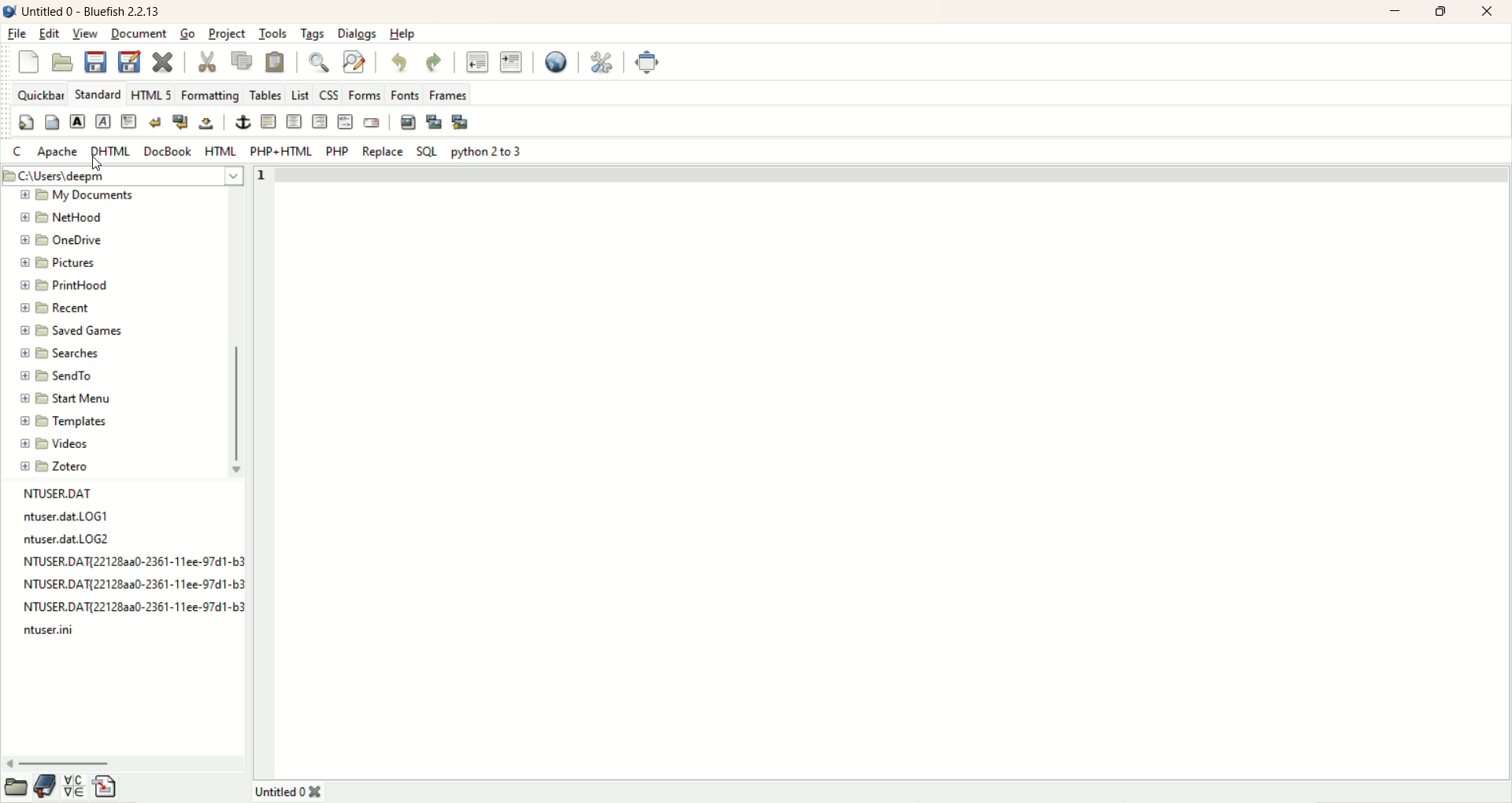 This screenshot has width=1512, height=803. I want to click on email, so click(372, 122).